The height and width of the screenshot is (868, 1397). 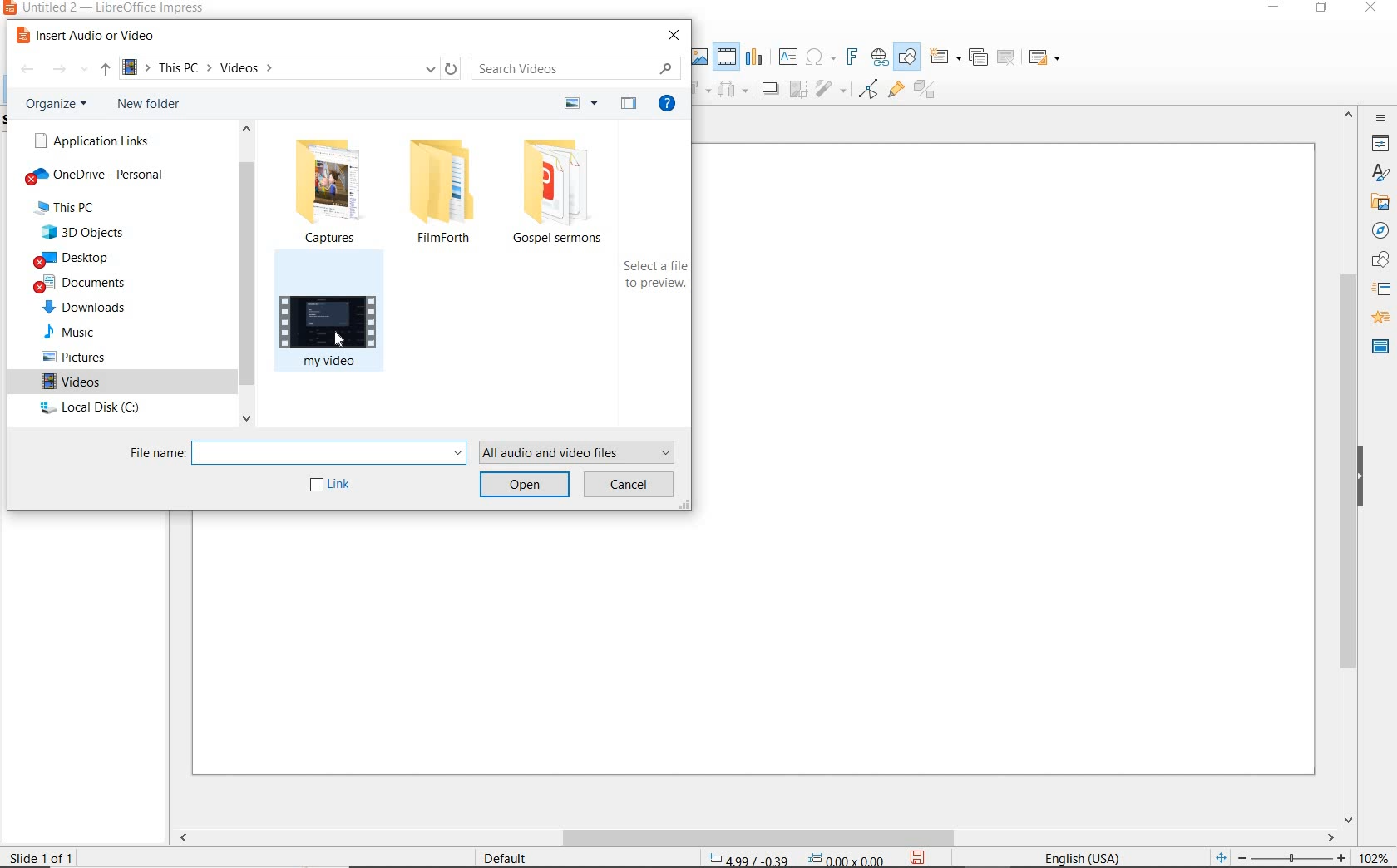 What do you see at coordinates (90, 409) in the screenshot?
I see `local disk` at bounding box center [90, 409].